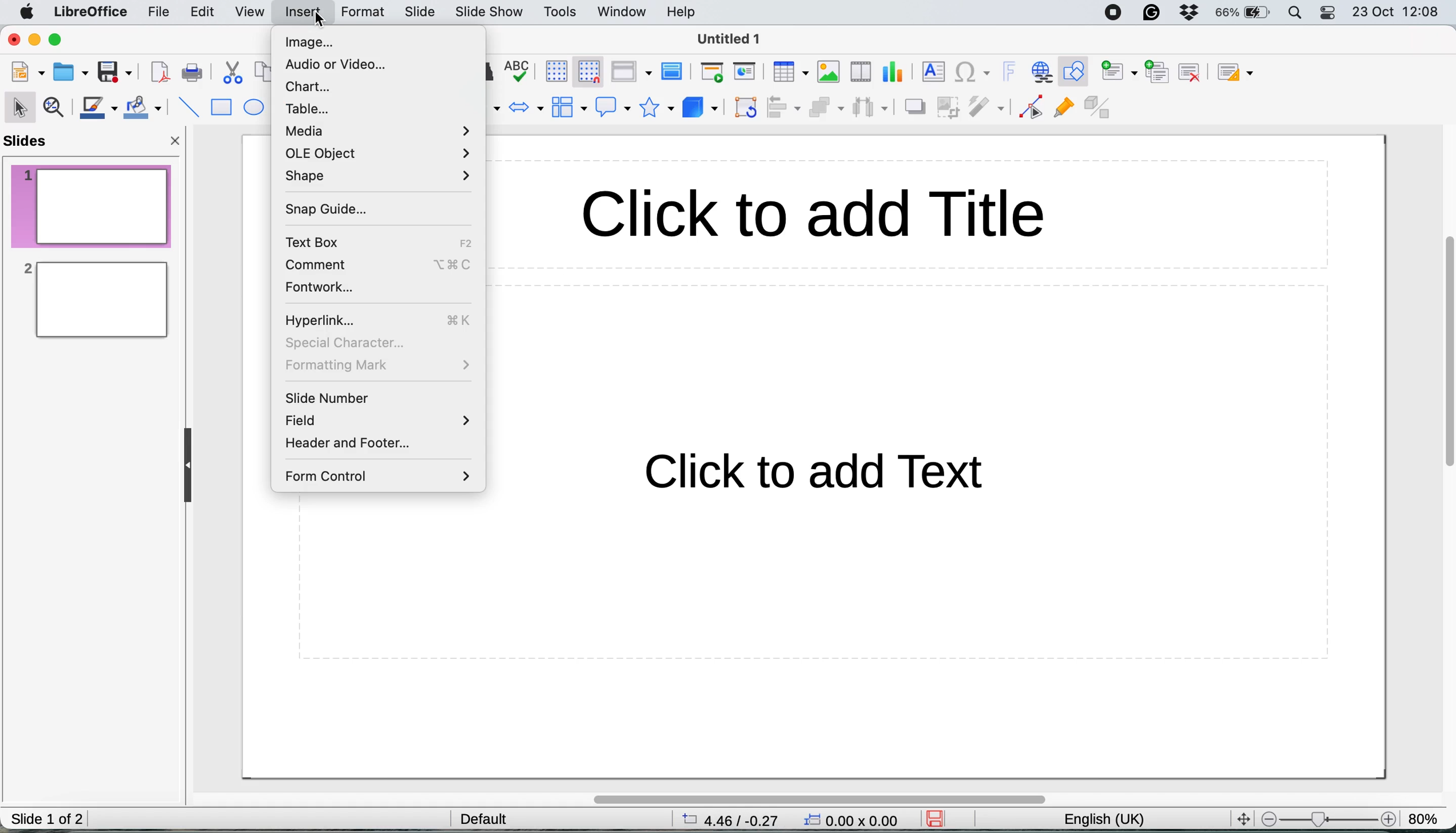 Image resolution: width=1456 pixels, height=833 pixels. What do you see at coordinates (737, 819) in the screenshot?
I see `4.46/-0.27` at bounding box center [737, 819].